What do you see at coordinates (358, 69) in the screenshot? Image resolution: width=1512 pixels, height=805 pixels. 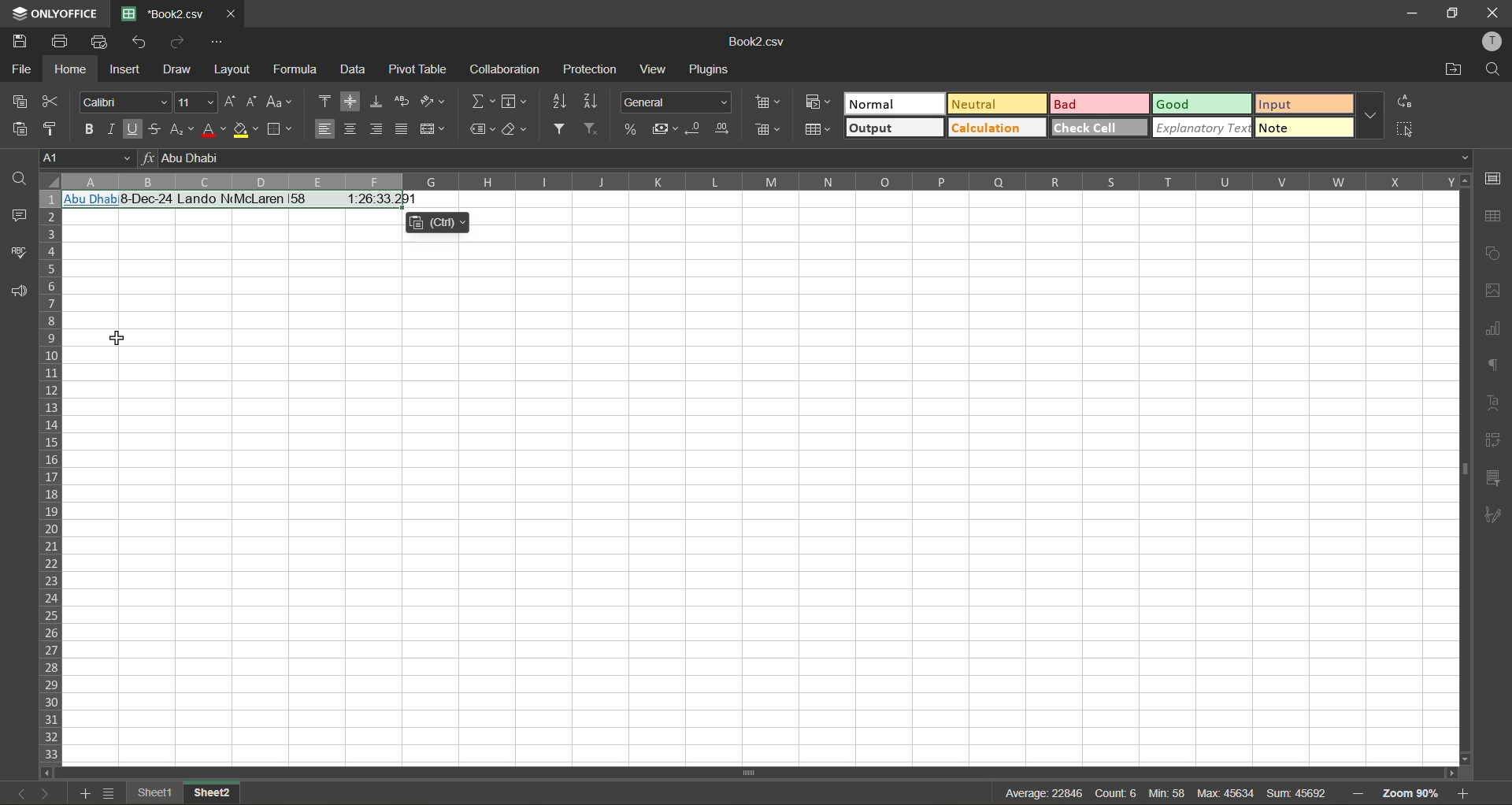 I see `data` at bounding box center [358, 69].